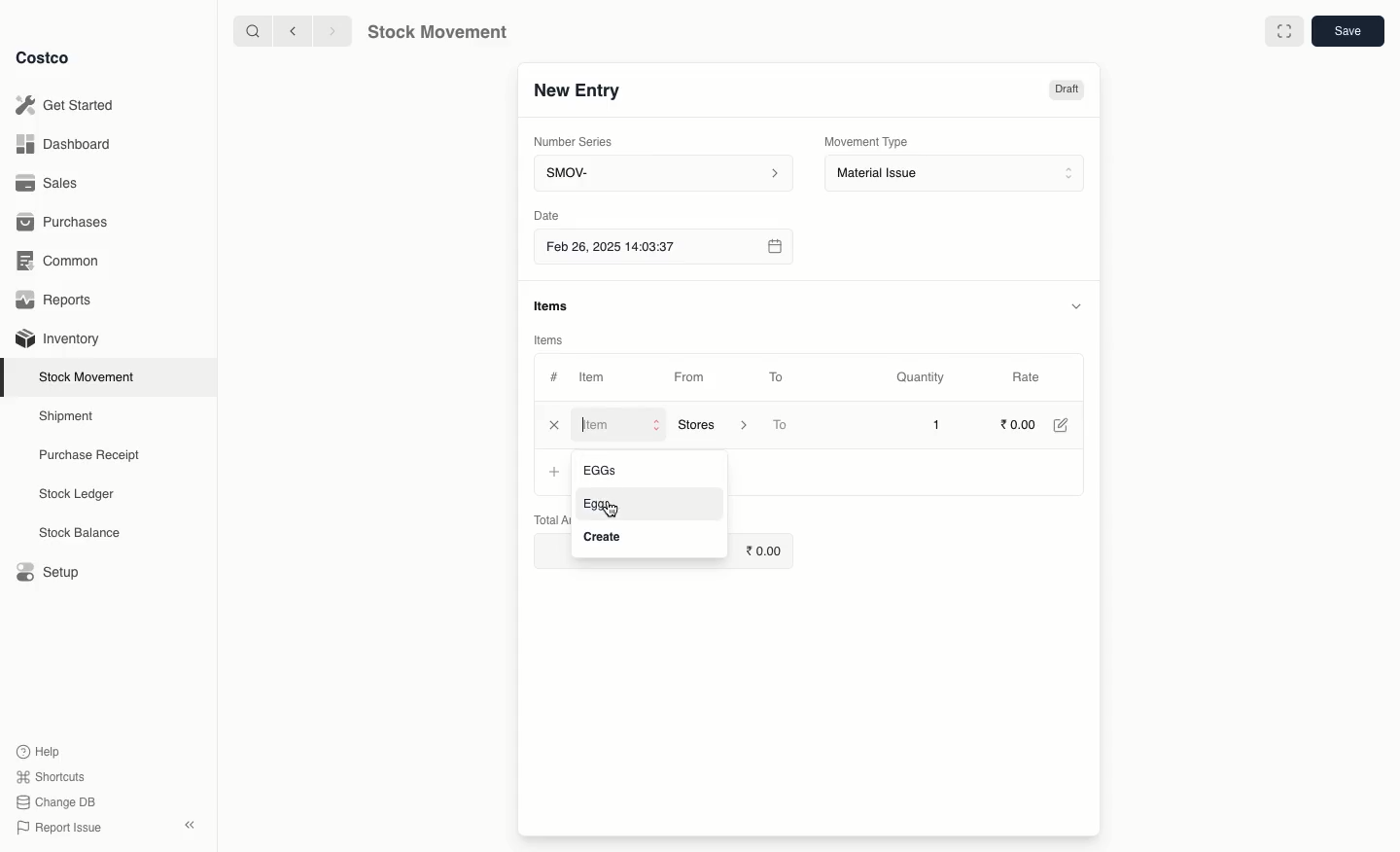 This screenshot has width=1400, height=852. I want to click on ‘Stores, so click(710, 423).